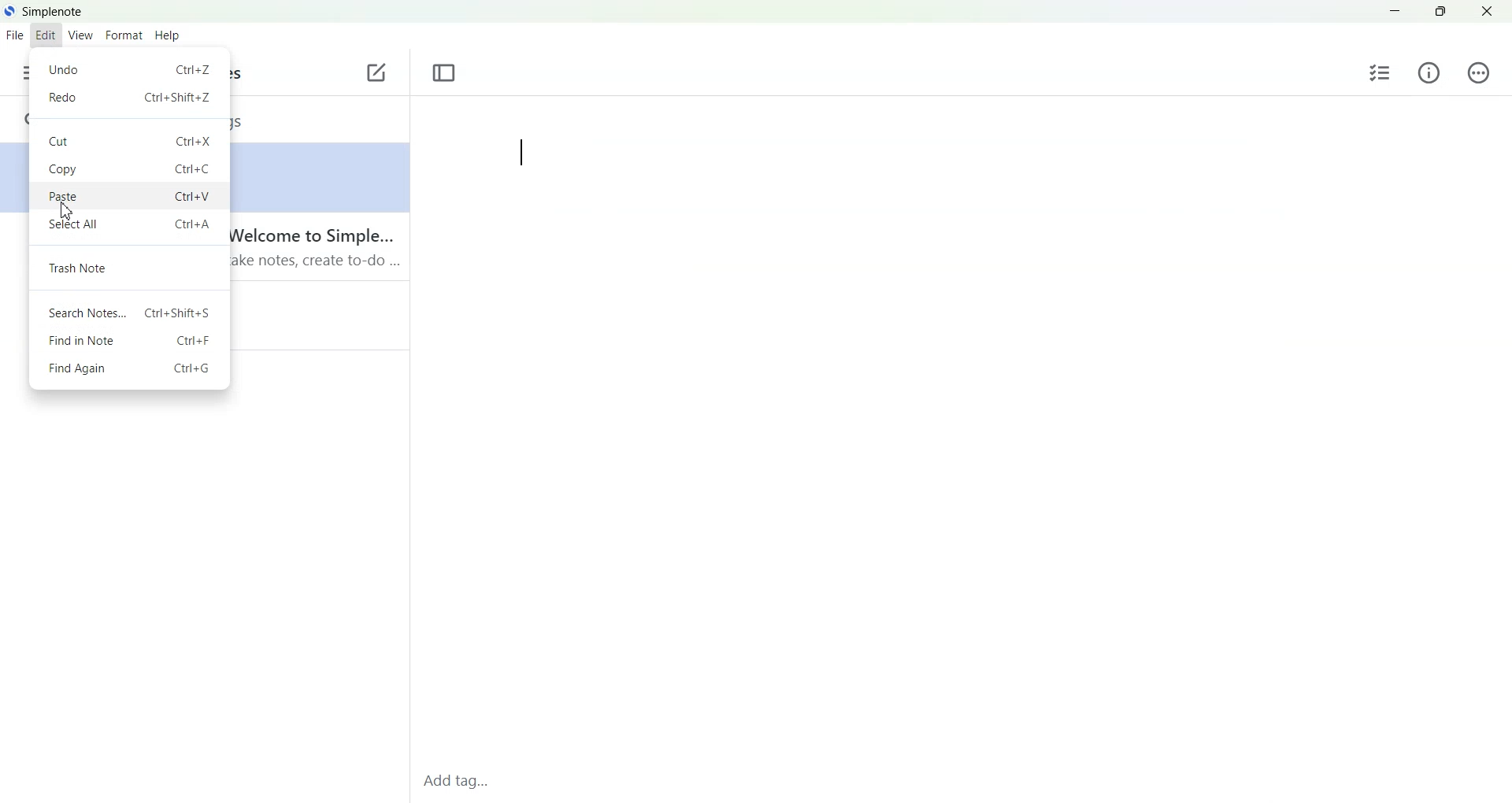 The width and height of the screenshot is (1512, 803). Describe the element at coordinates (130, 268) in the screenshot. I see `Trash Notes` at that location.